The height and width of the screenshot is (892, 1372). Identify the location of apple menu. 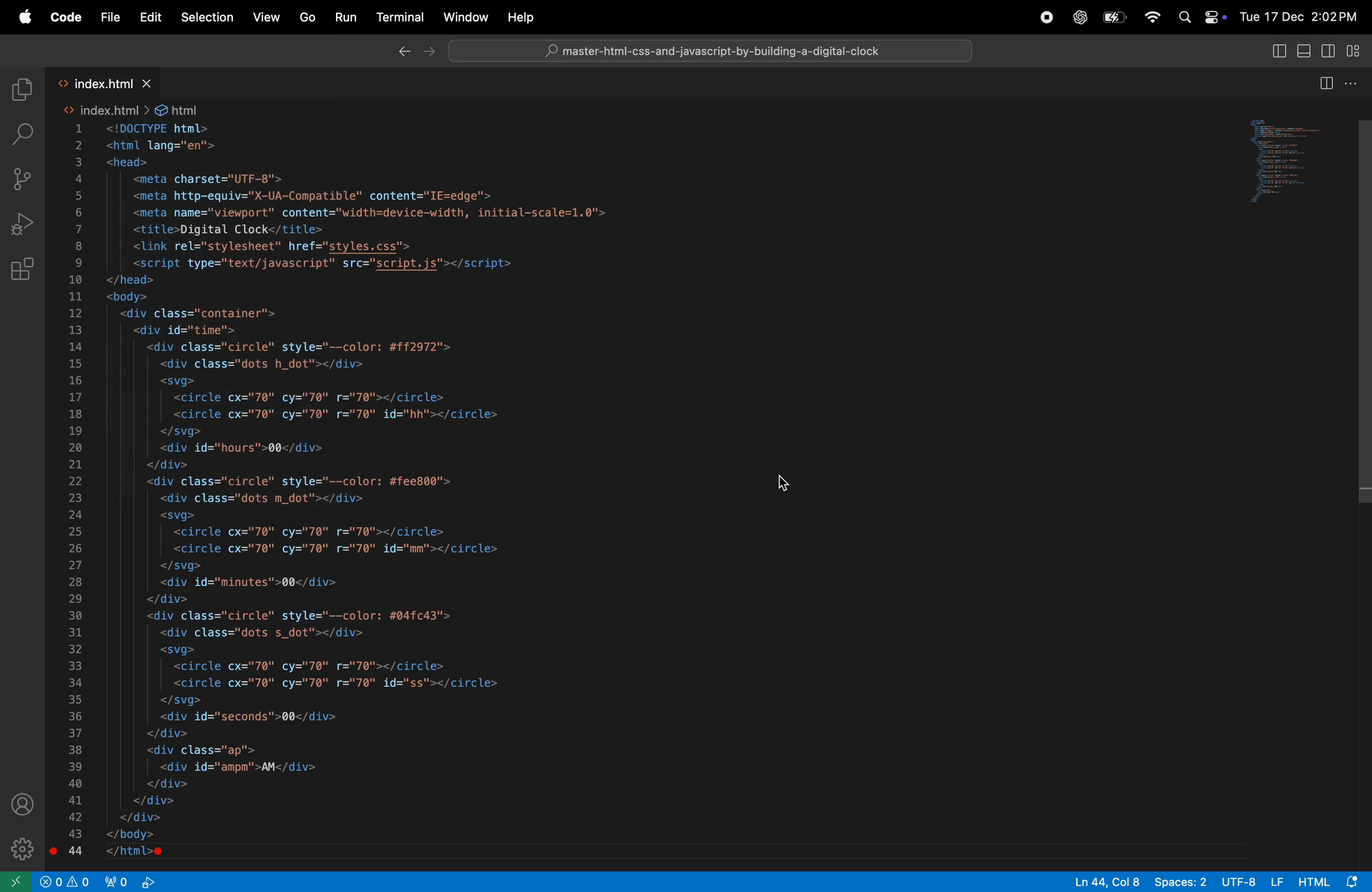
(26, 18).